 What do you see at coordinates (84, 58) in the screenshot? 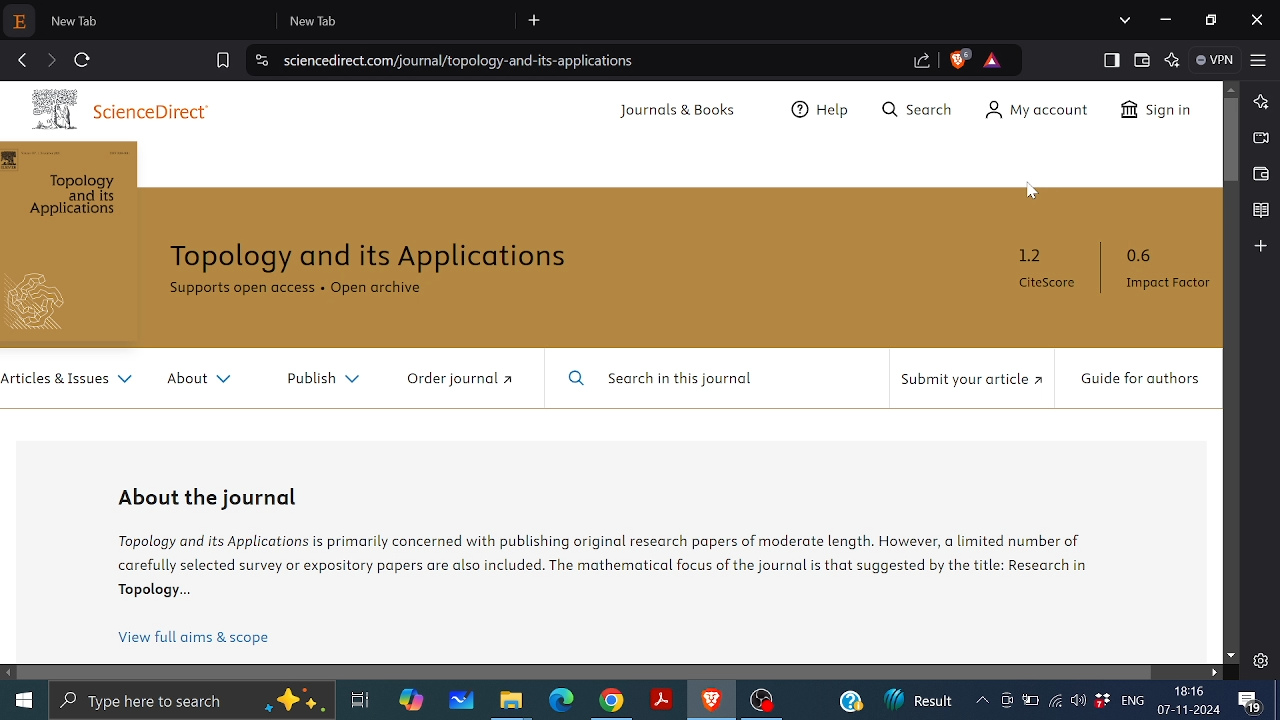
I see `Reload` at bounding box center [84, 58].